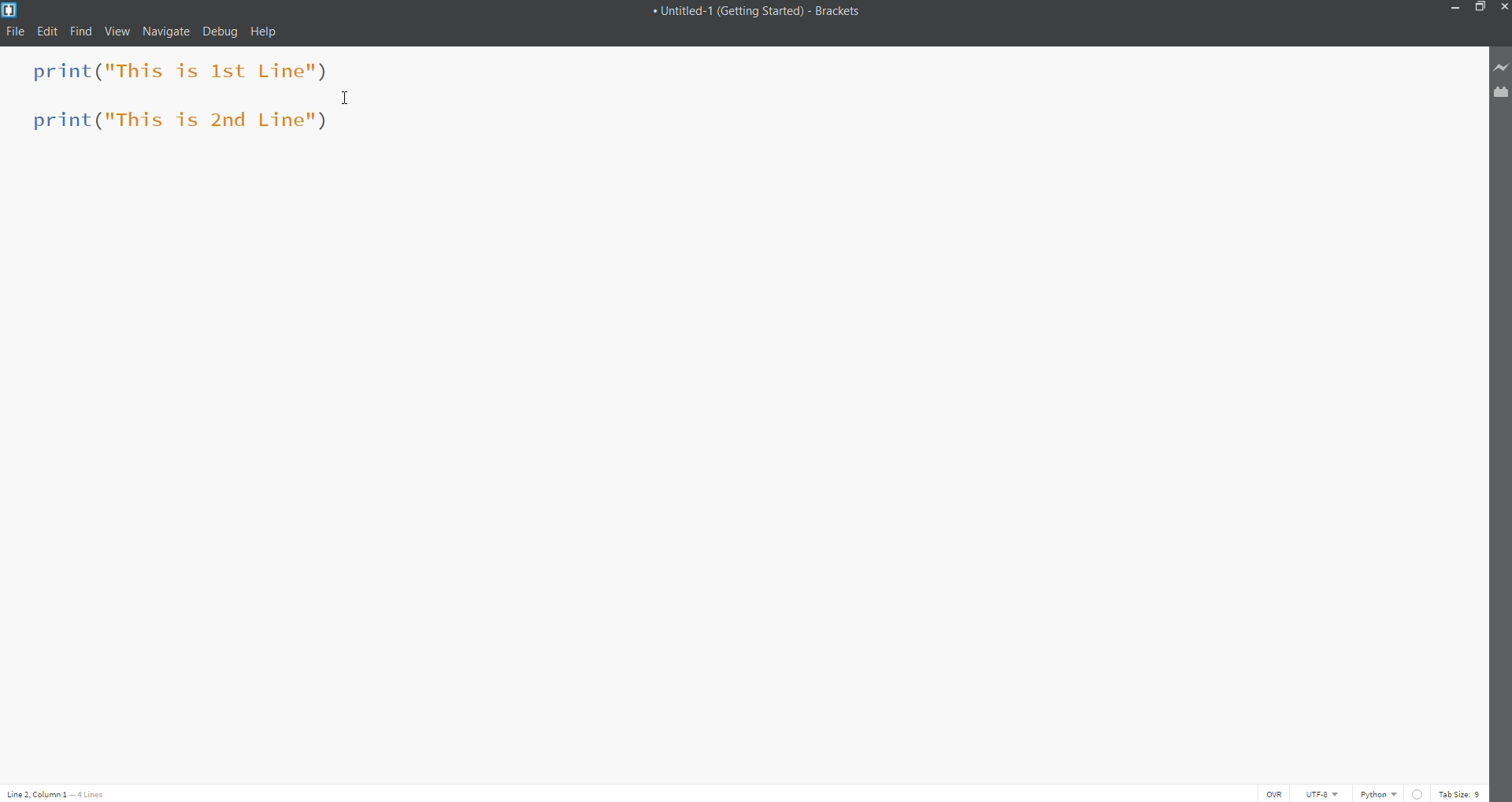 The image size is (1512, 802). Describe the element at coordinates (46, 32) in the screenshot. I see `Edit` at that location.